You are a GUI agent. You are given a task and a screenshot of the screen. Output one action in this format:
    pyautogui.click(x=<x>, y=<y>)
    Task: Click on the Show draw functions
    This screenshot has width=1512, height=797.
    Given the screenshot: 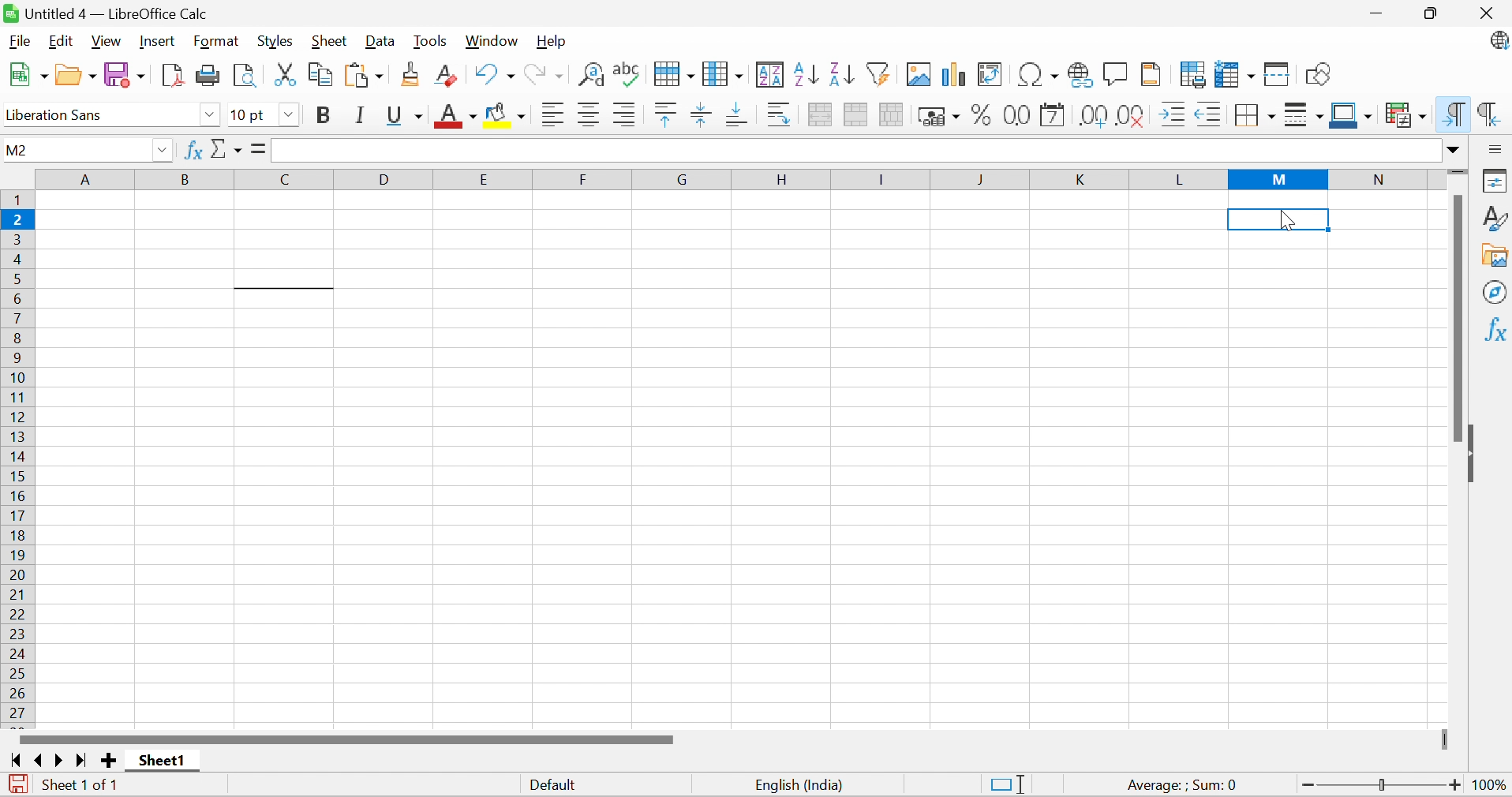 What is the action you would take?
    pyautogui.click(x=1320, y=73)
    